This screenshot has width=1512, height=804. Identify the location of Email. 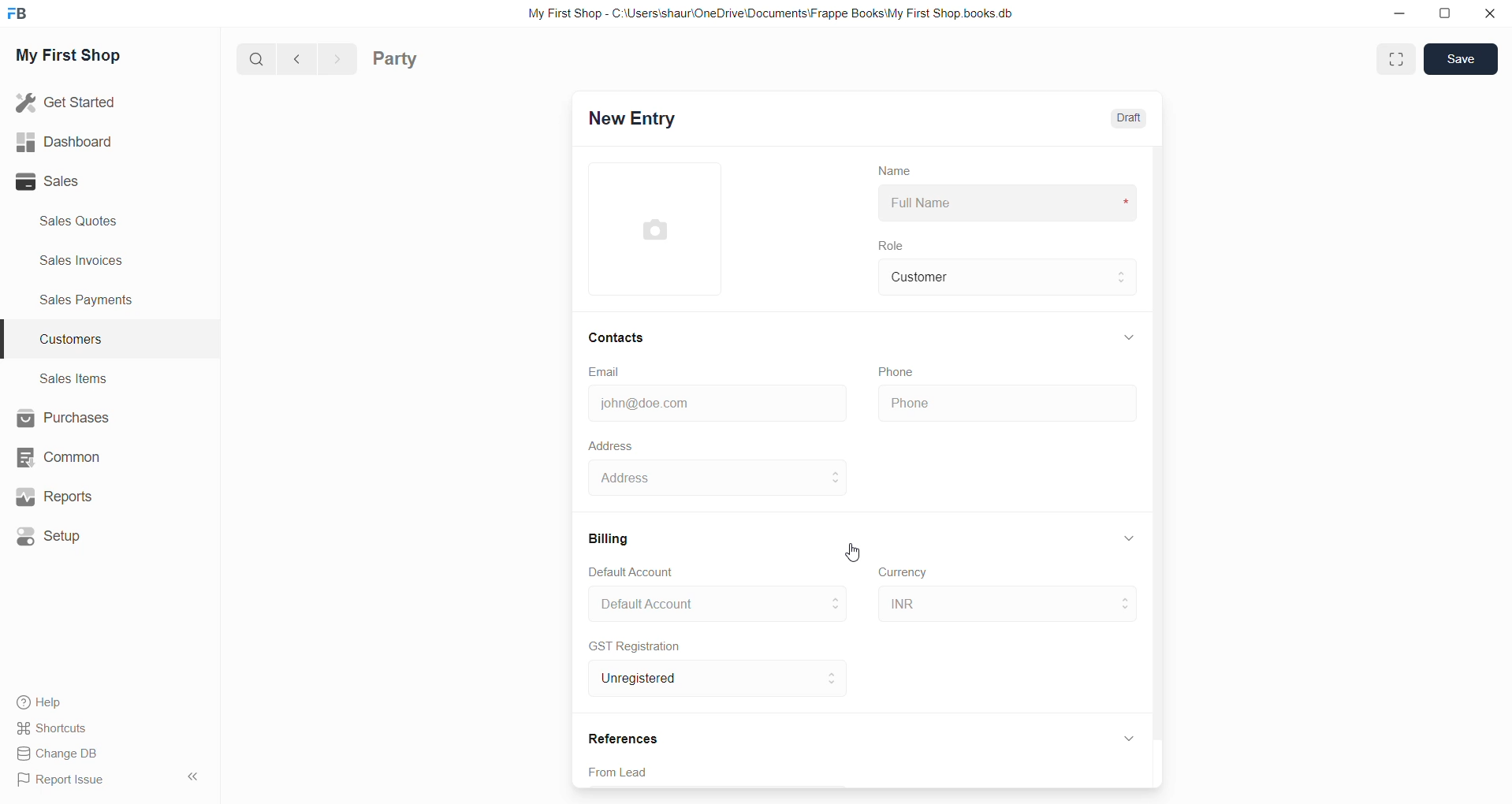
(607, 371).